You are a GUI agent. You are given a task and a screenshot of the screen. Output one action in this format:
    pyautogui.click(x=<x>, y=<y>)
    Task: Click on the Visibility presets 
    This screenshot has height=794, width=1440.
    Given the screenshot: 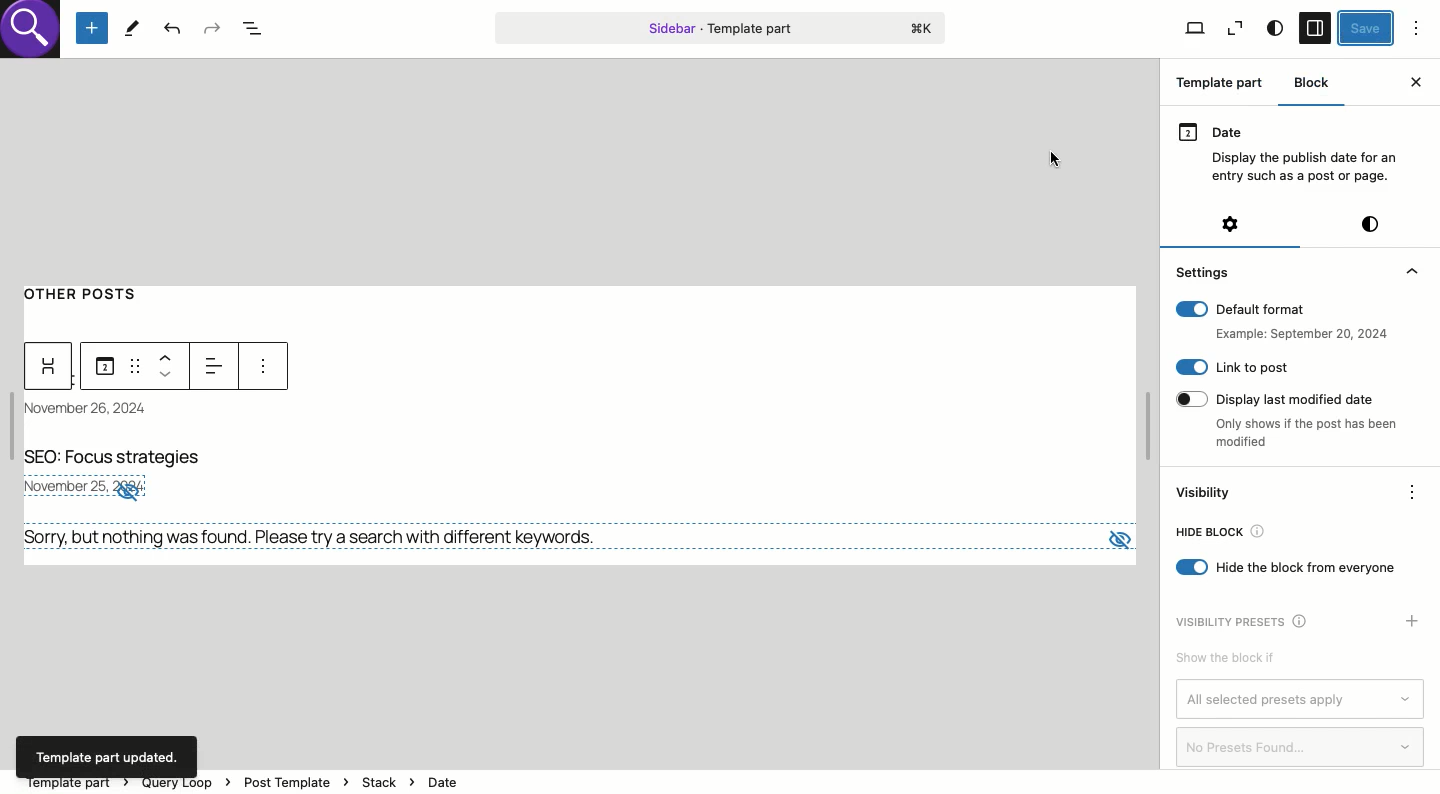 What is the action you would take?
    pyautogui.click(x=1248, y=620)
    